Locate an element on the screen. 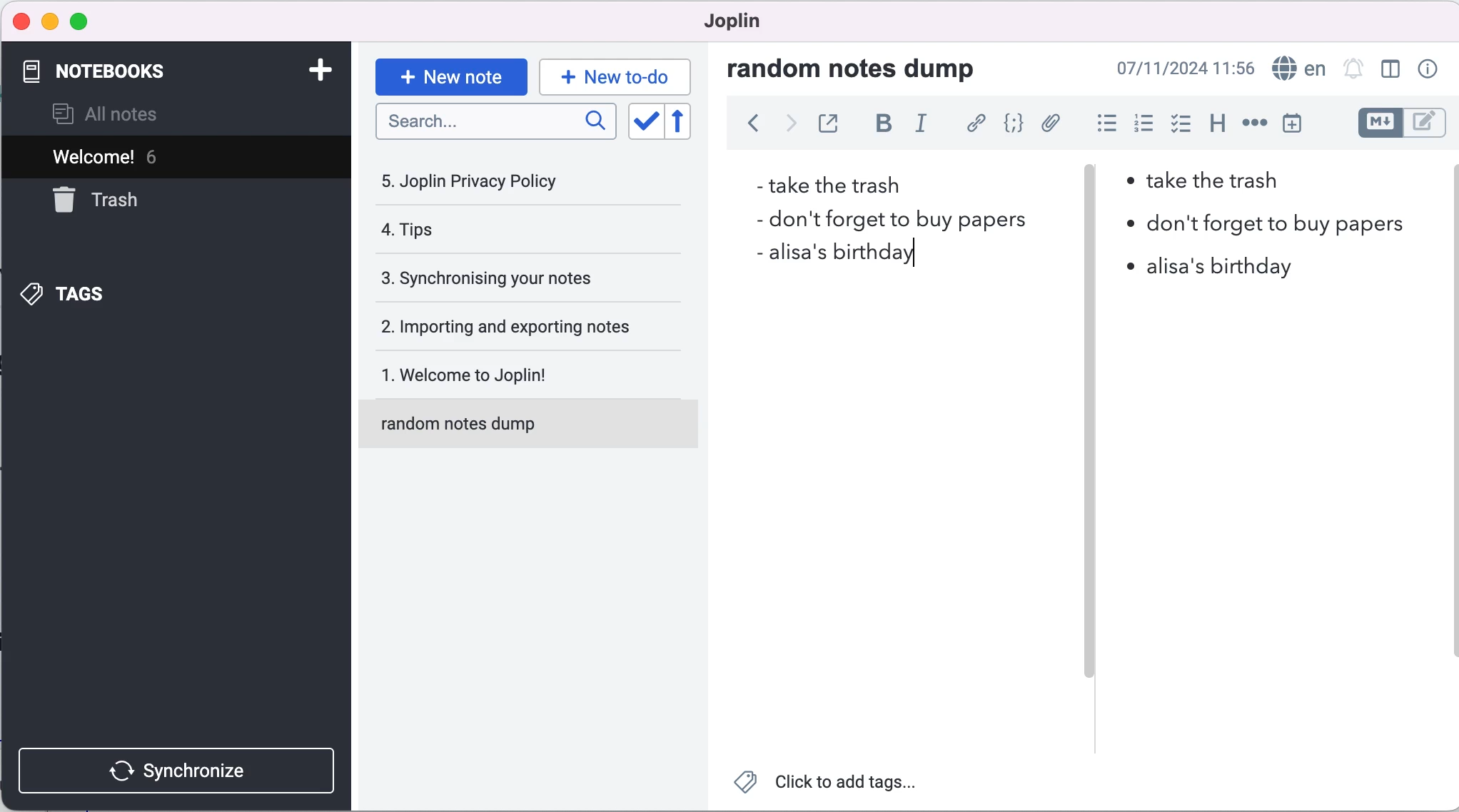  all notes is located at coordinates (128, 113).